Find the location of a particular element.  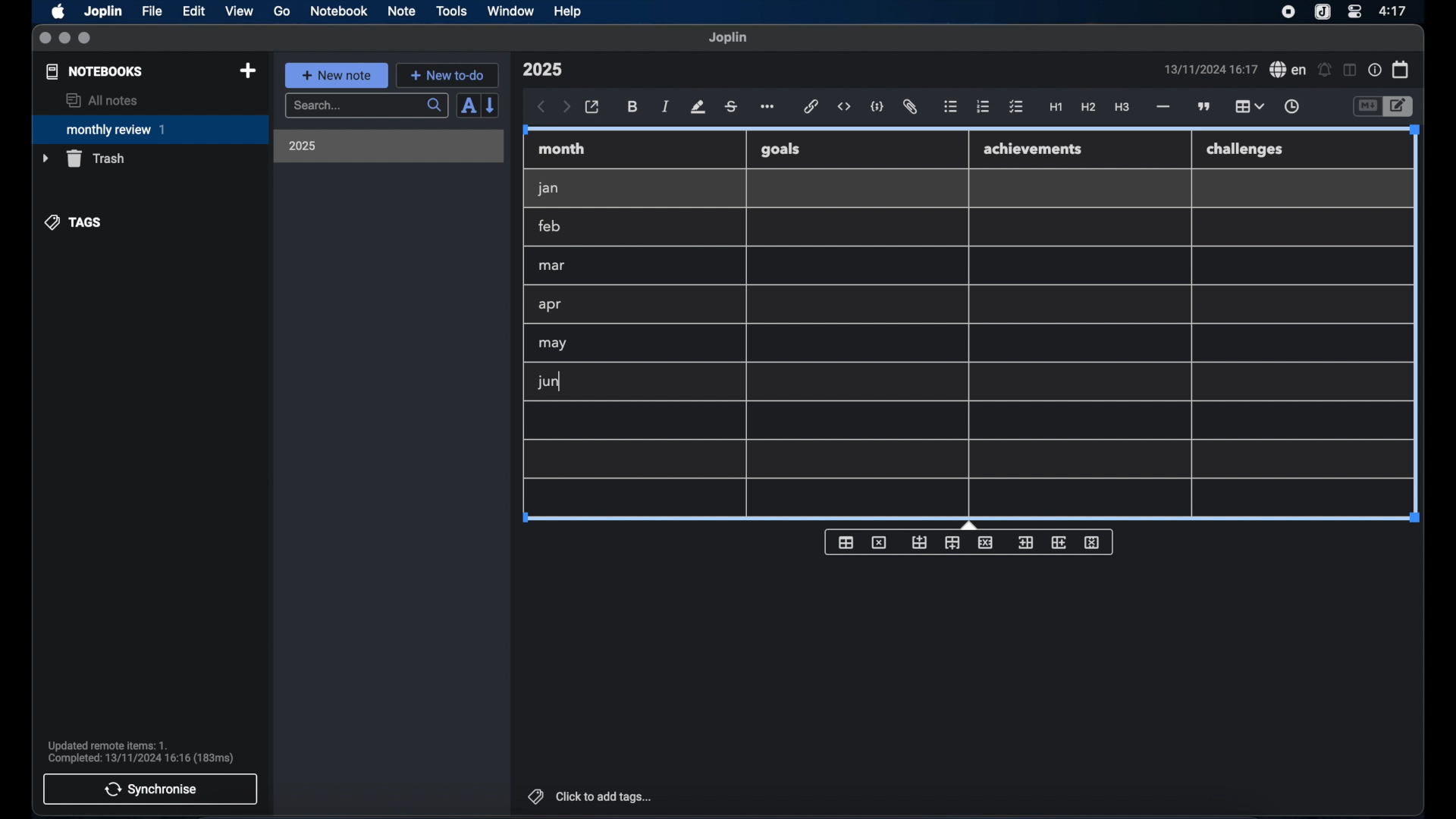

note properties is located at coordinates (1375, 71).